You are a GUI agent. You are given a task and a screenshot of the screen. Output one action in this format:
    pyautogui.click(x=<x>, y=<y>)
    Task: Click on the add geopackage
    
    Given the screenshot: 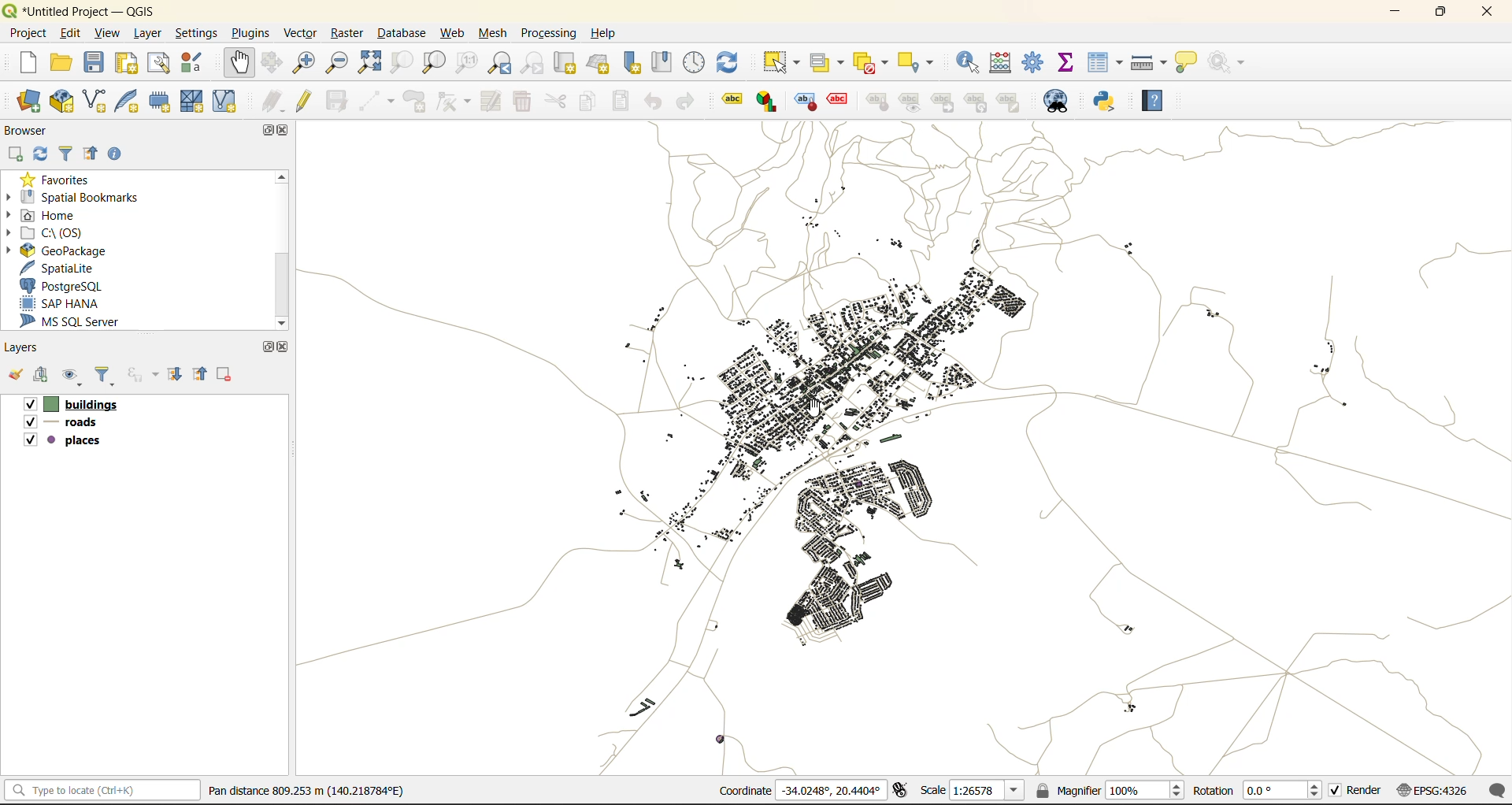 What is the action you would take?
    pyautogui.click(x=62, y=102)
    